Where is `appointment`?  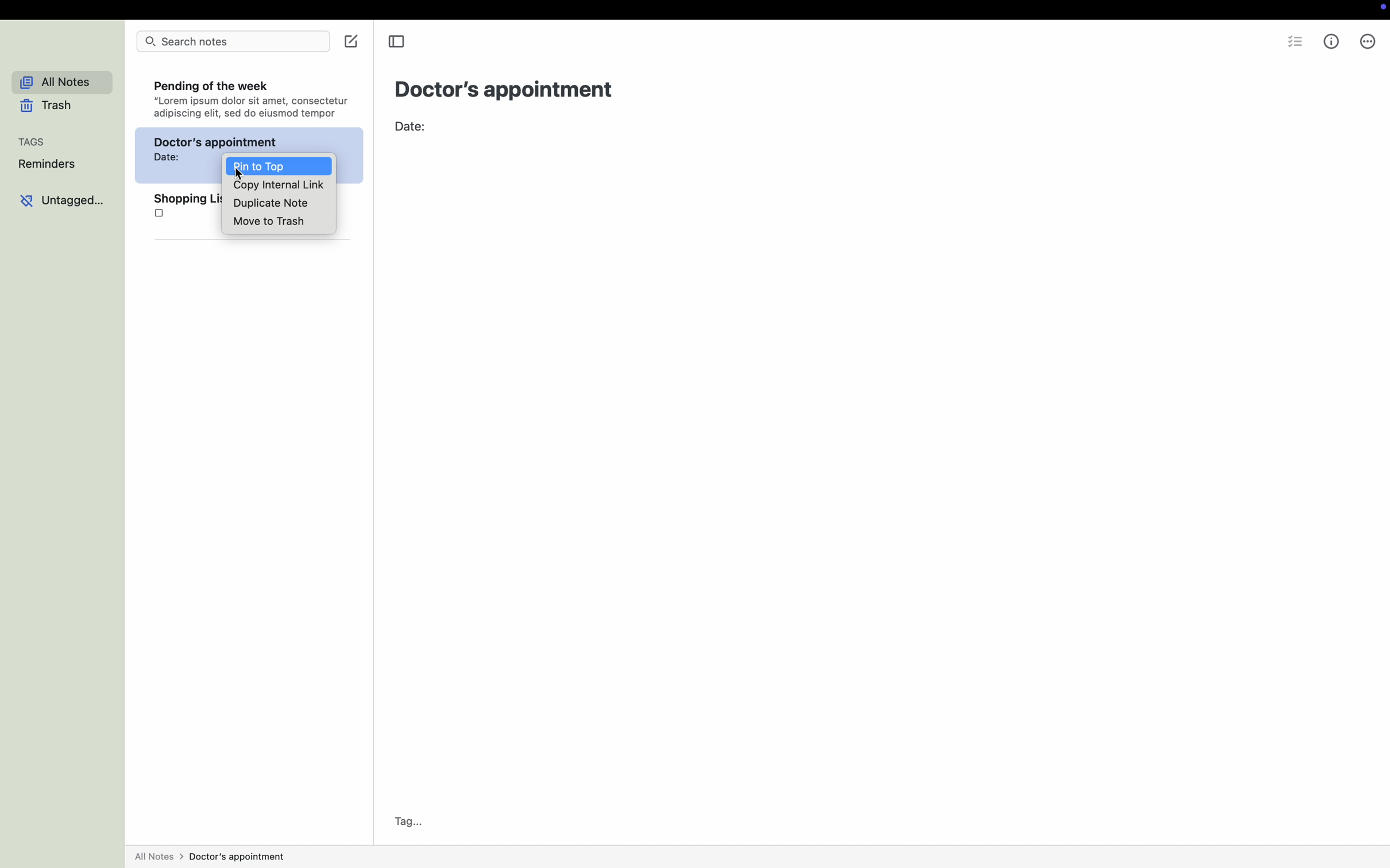 appointment is located at coordinates (289, 142).